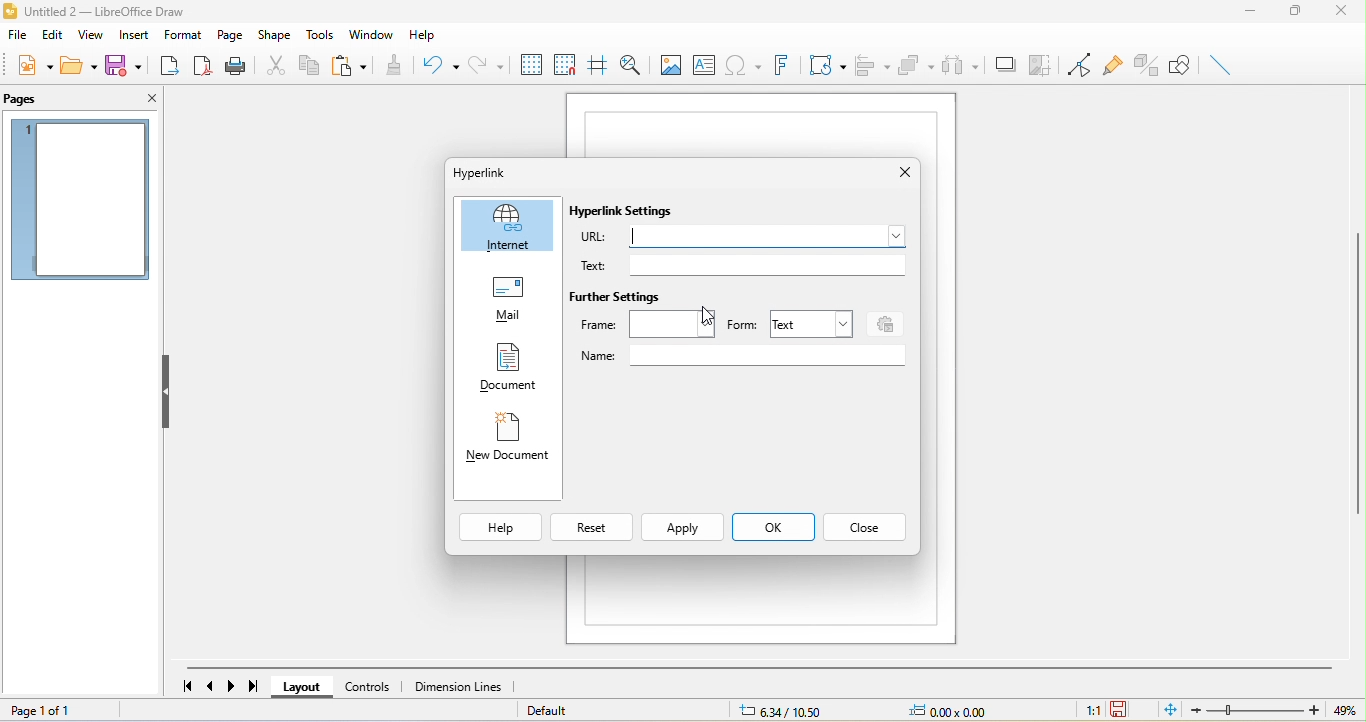 This screenshot has height=722, width=1366. Describe the element at coordinates (256, 688) in the screenshot. I see `last page` at that location.